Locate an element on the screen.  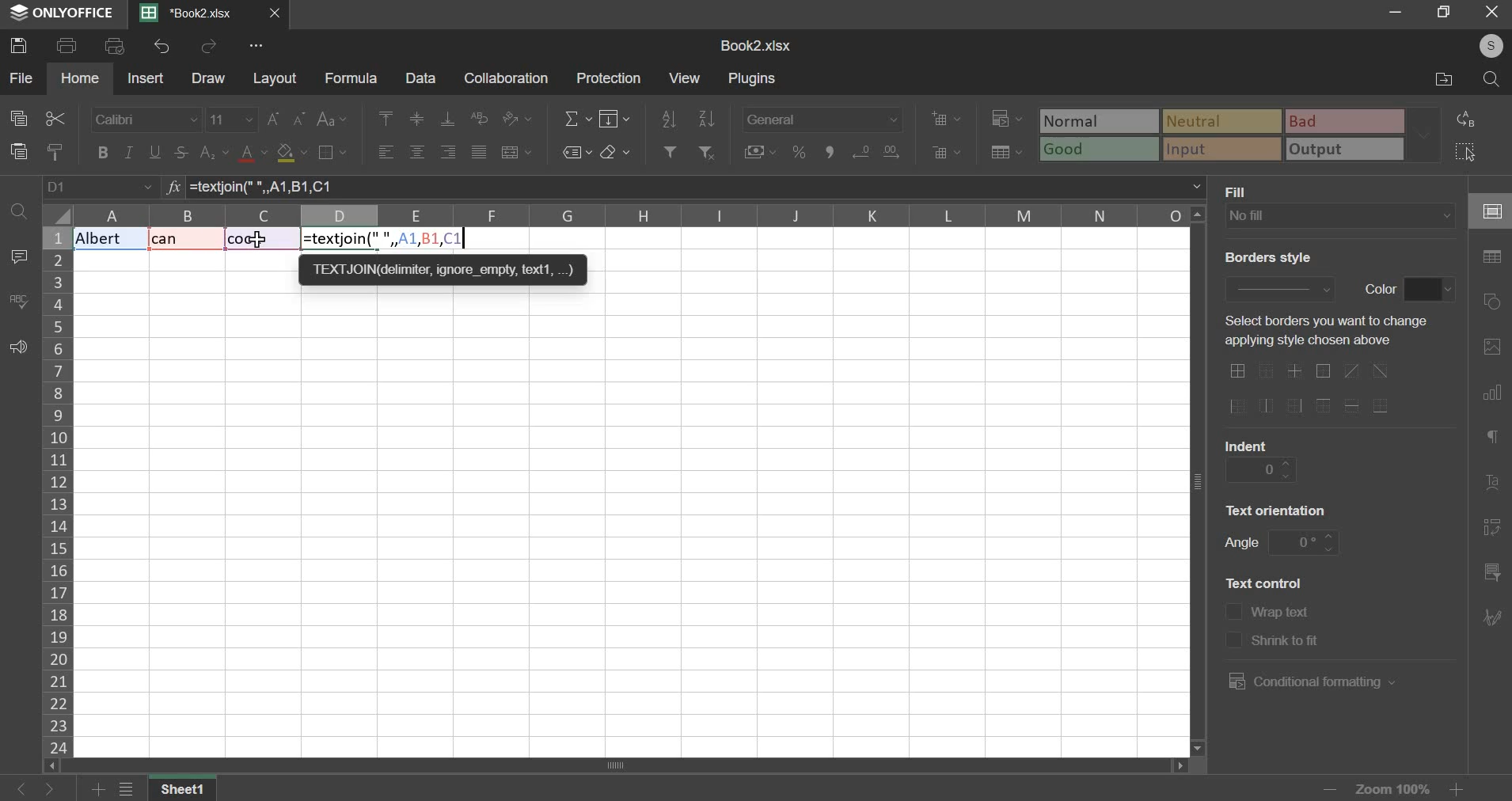
text color is located at coordinates (254, 154).